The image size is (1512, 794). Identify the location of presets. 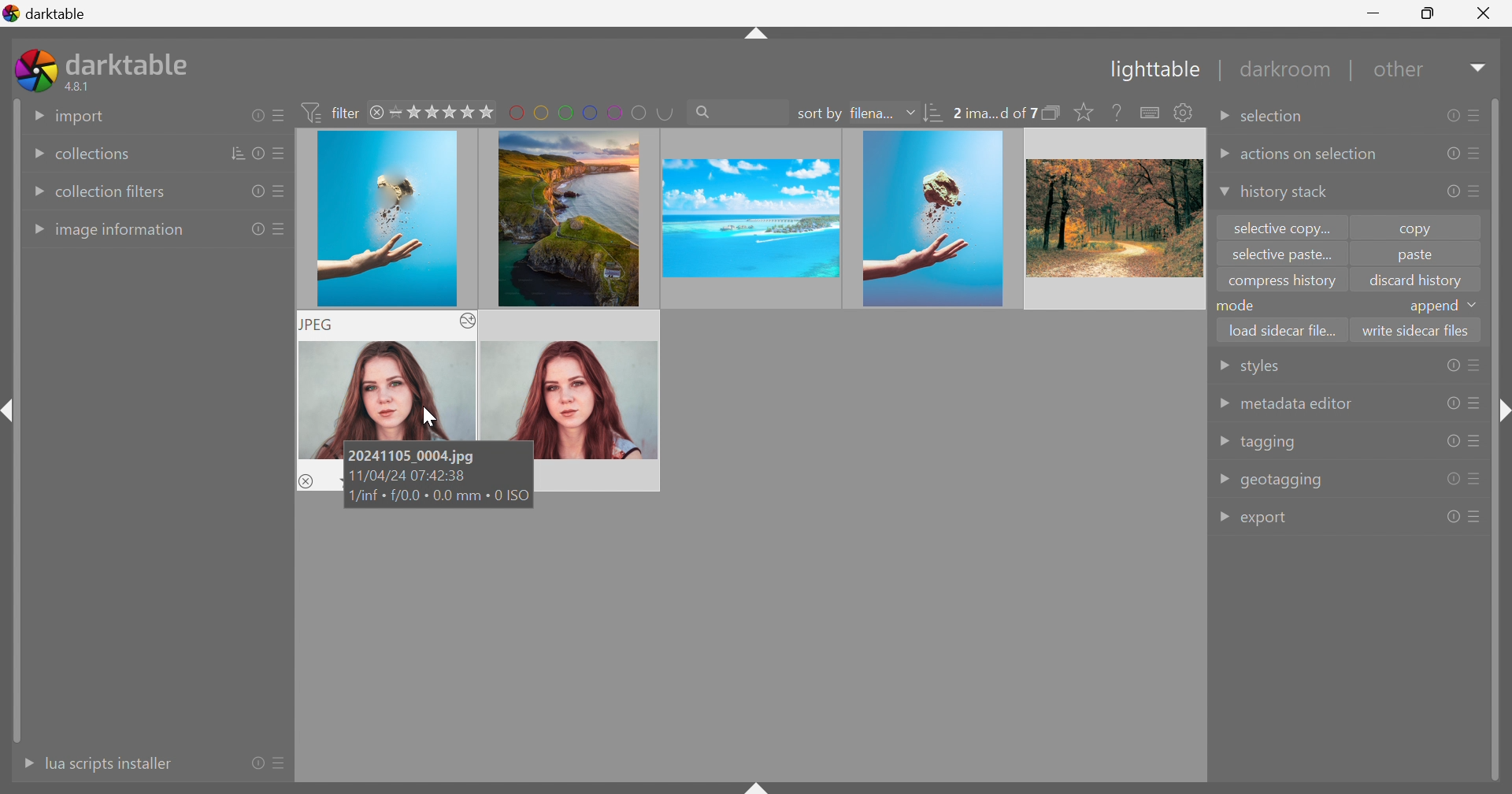
(280, 228).